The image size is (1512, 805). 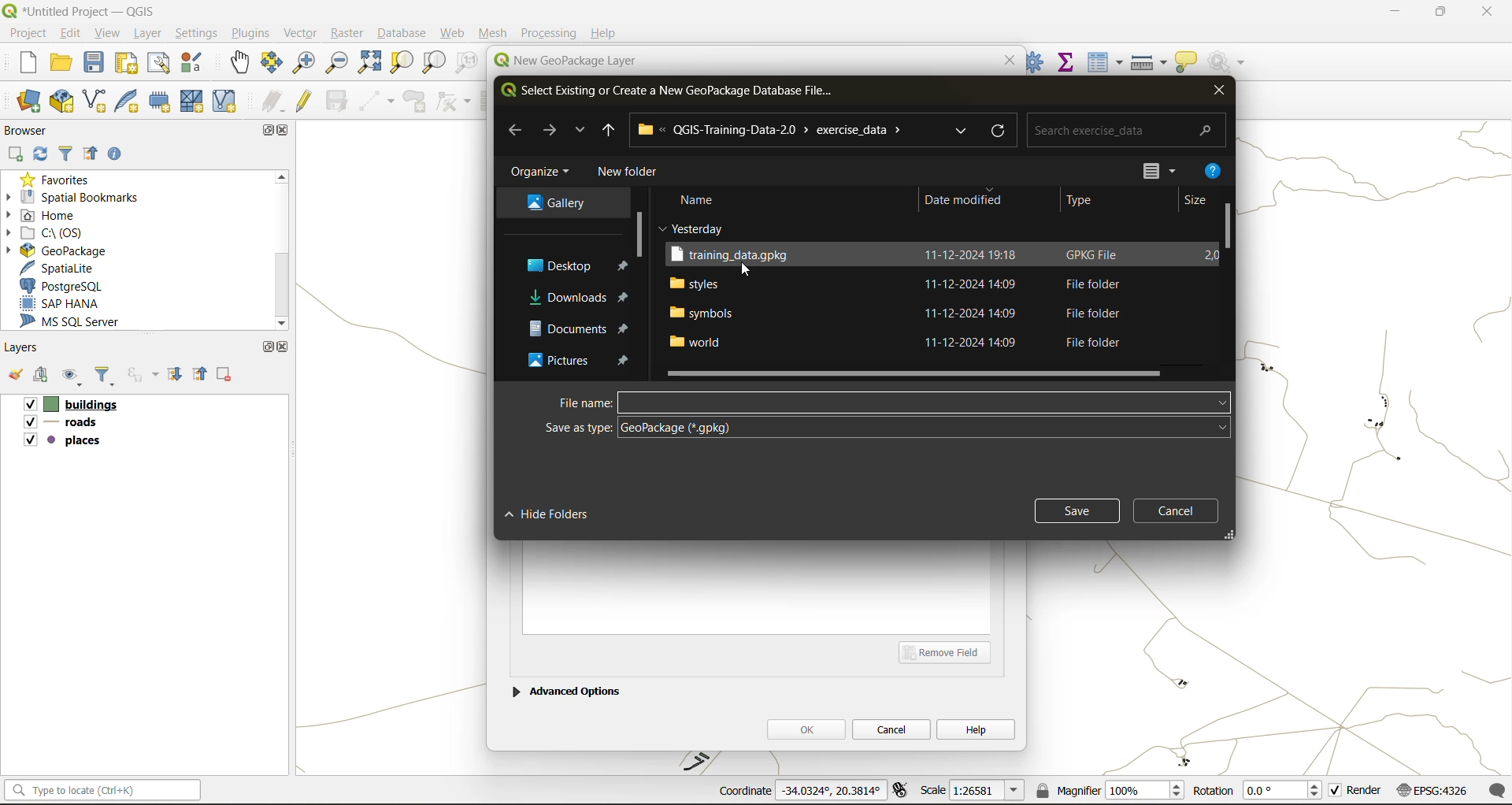 I want to click on advanced options, so click(x=566, y=689).